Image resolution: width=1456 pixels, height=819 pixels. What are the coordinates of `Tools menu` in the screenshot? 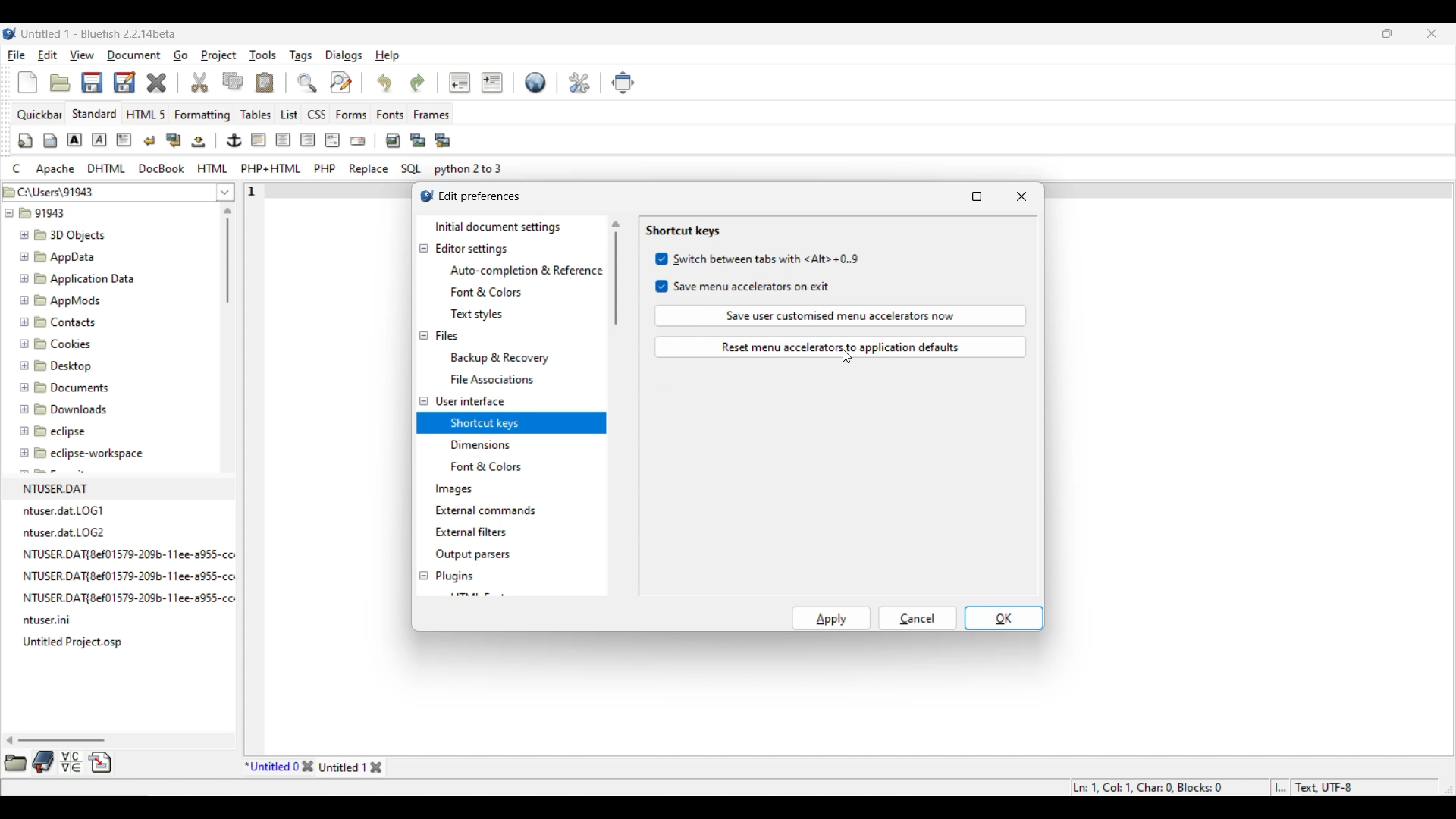 It's located at (263, 55).